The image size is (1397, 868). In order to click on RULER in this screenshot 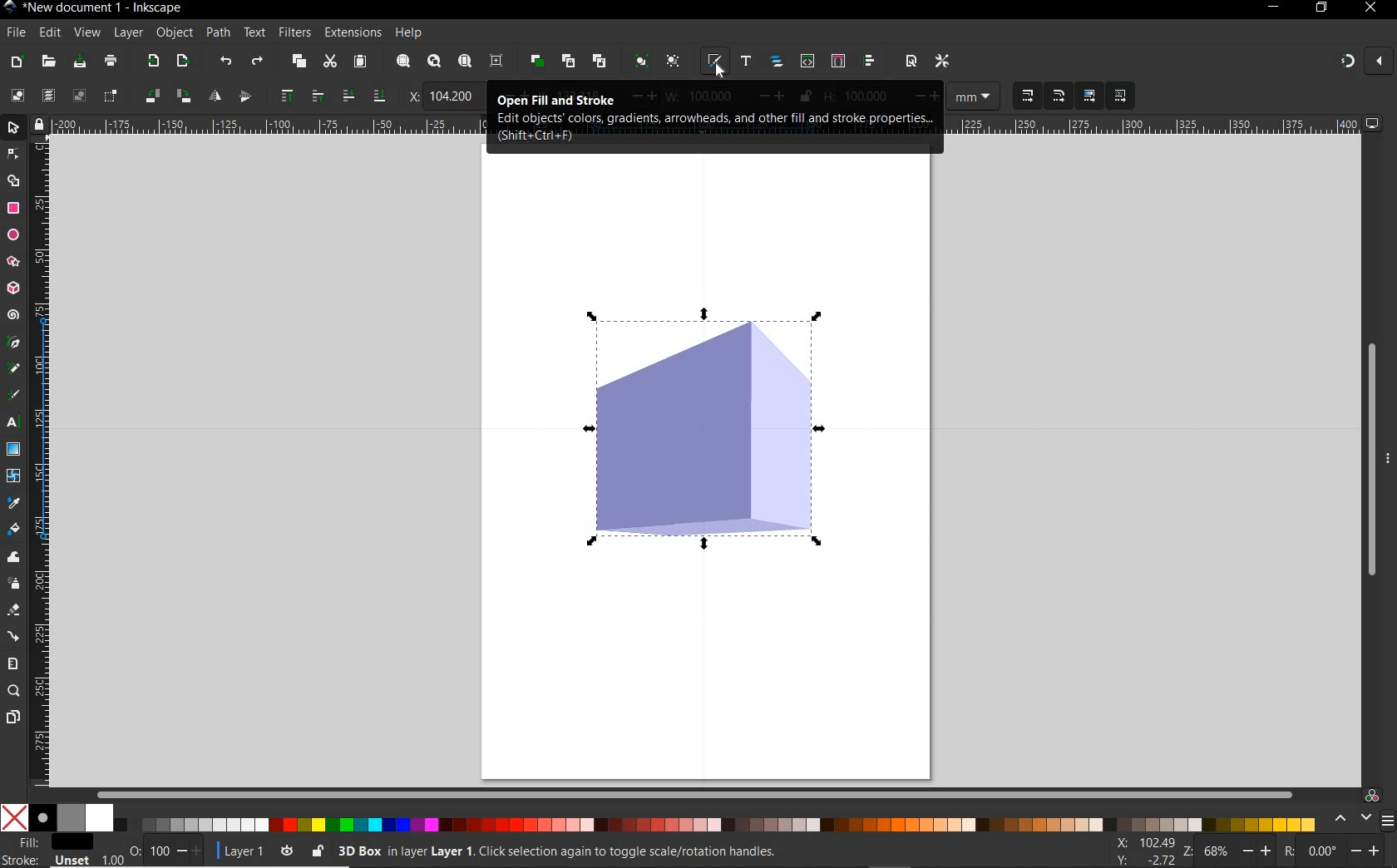, I will do `click(41, 461)`.